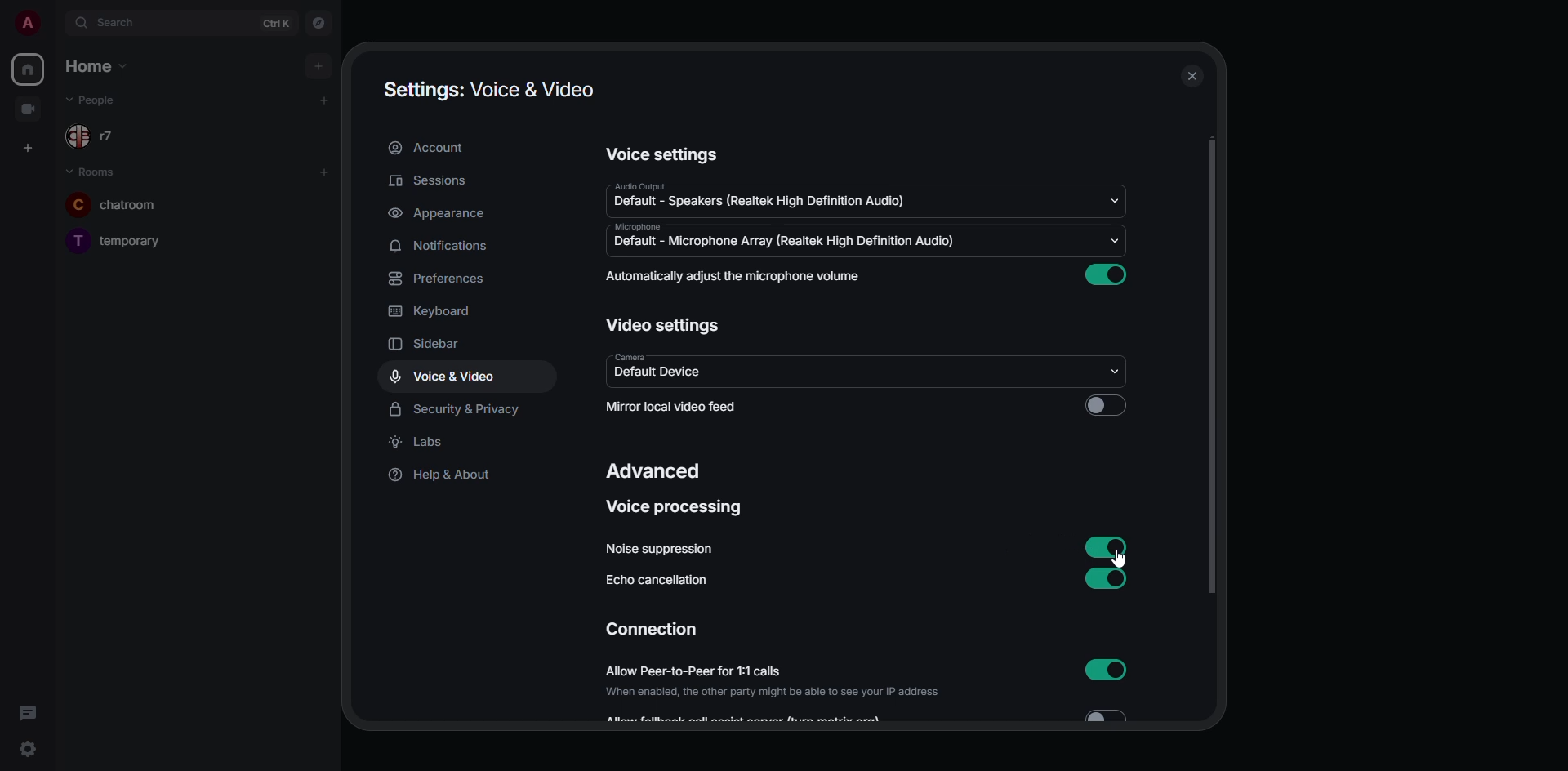  I want to click on drop down, so click(1117, 372).